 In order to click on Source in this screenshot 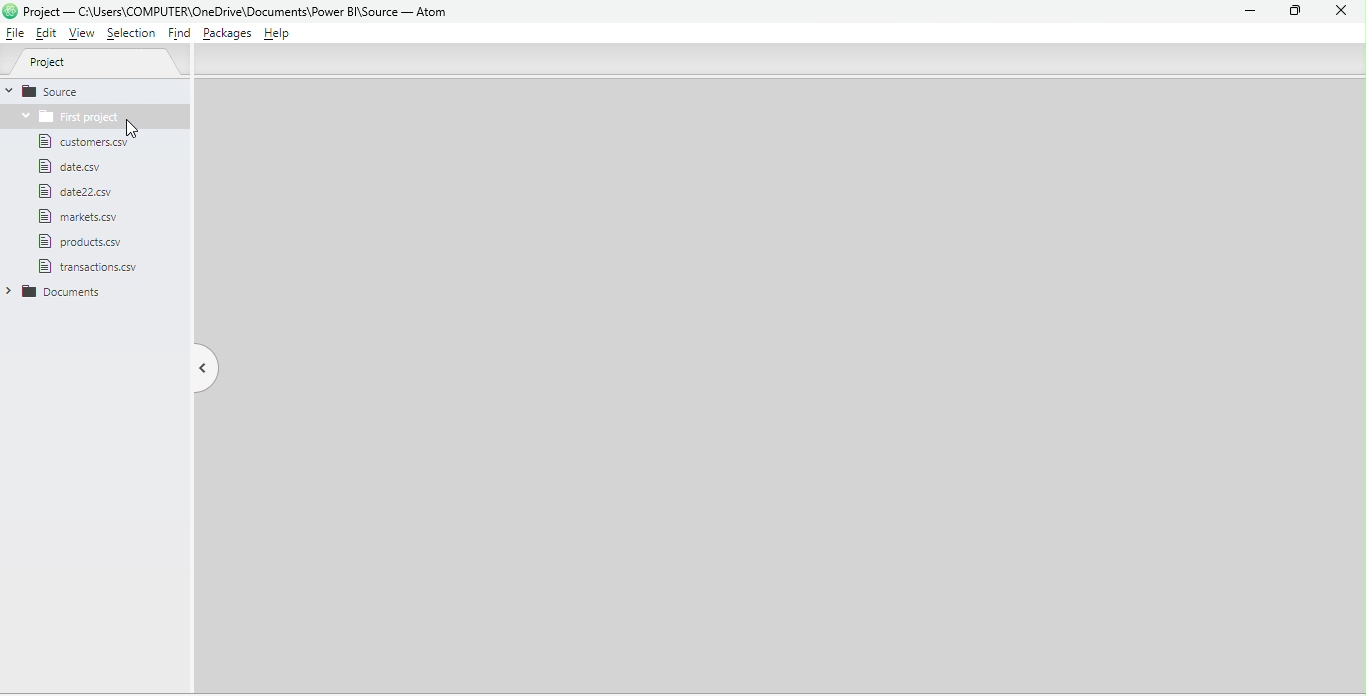, I will do `click(95, 90)`.